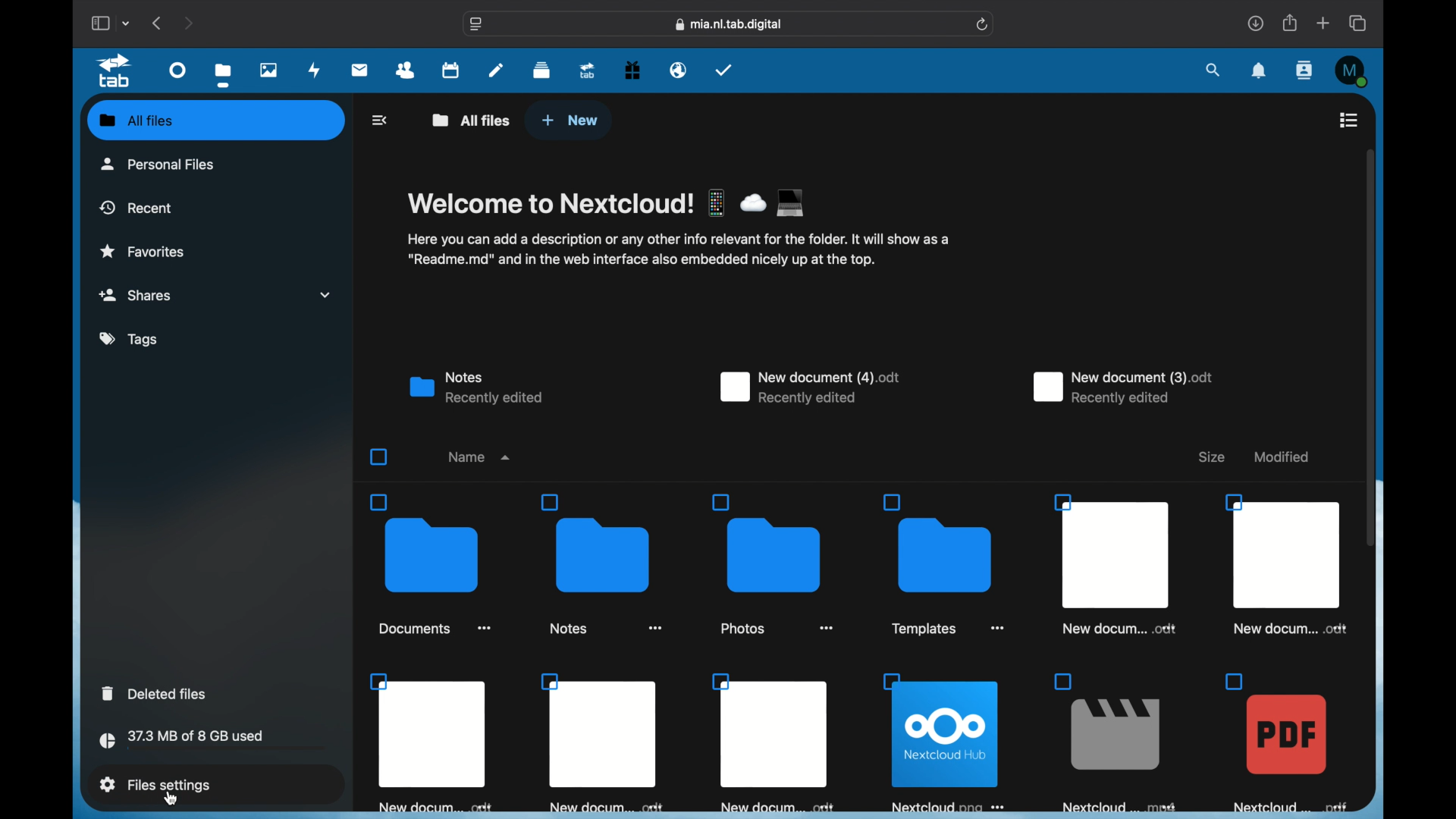  I want to click on checkbox, so click(379, 457).